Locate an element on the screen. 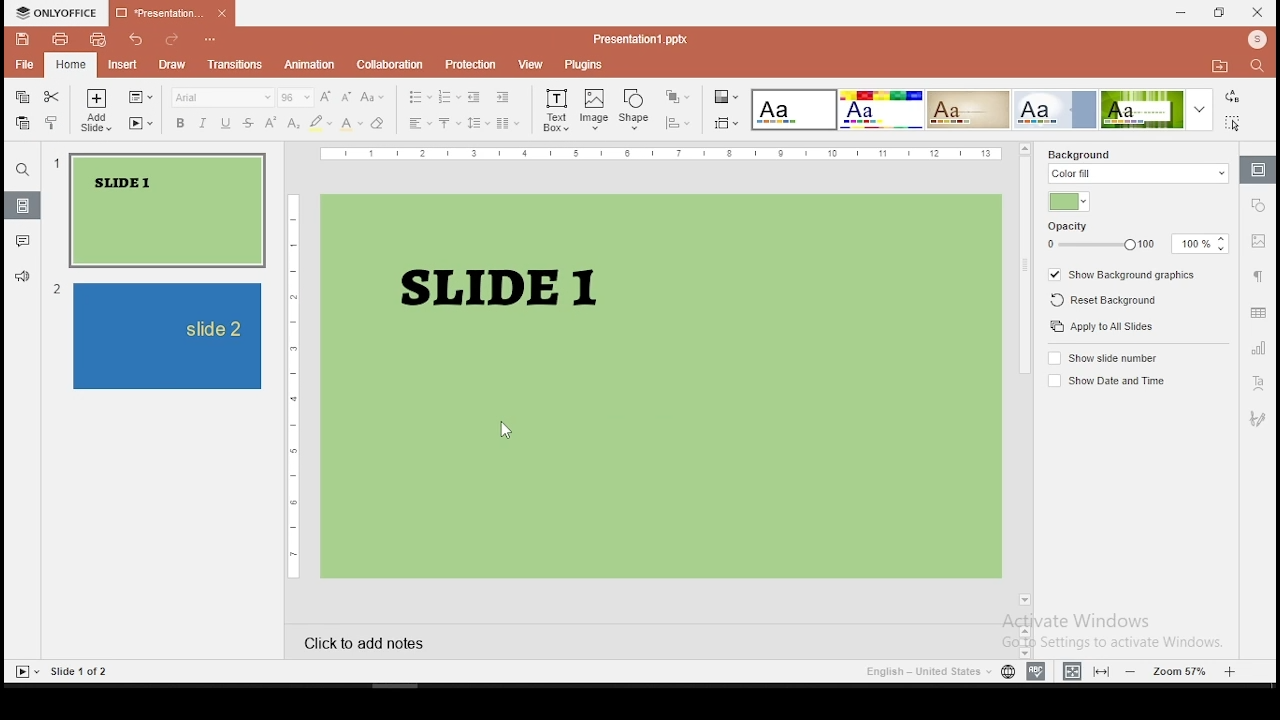  paragraph settings is located at coordinates (1260, 280).